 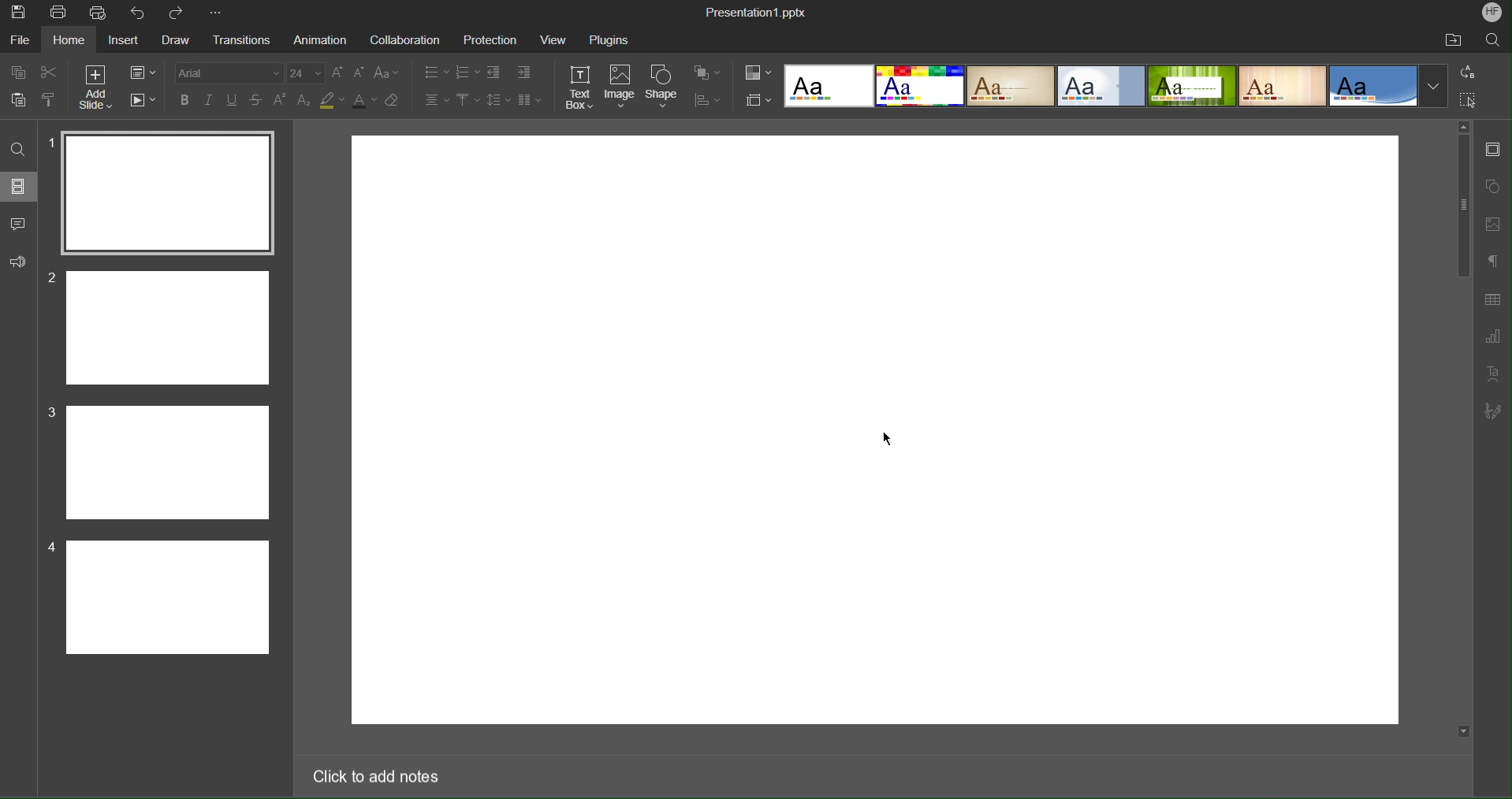 I want to click on Save, so click(x=17, y=13).